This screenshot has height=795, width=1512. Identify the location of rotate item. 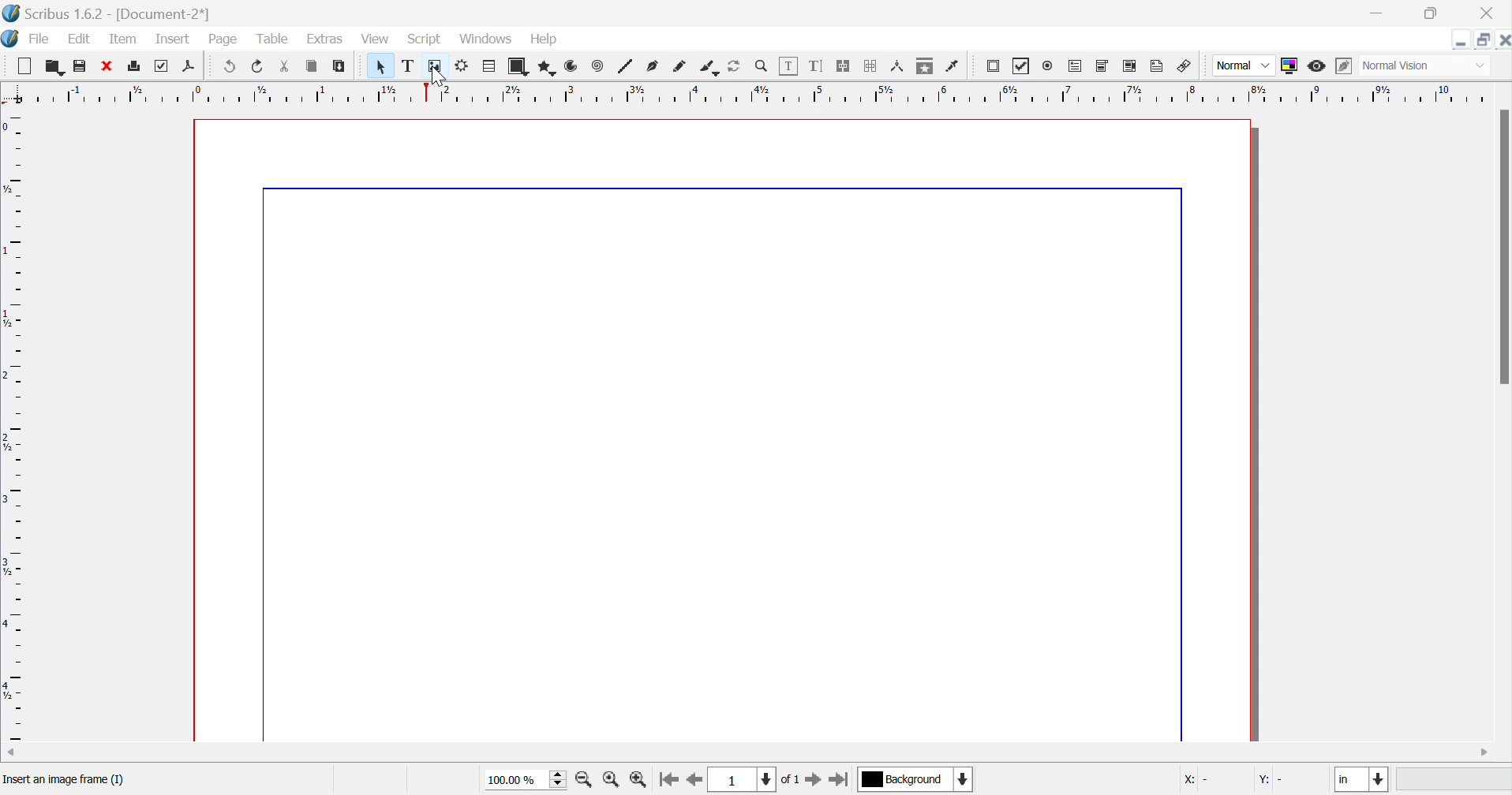
(735, 65).